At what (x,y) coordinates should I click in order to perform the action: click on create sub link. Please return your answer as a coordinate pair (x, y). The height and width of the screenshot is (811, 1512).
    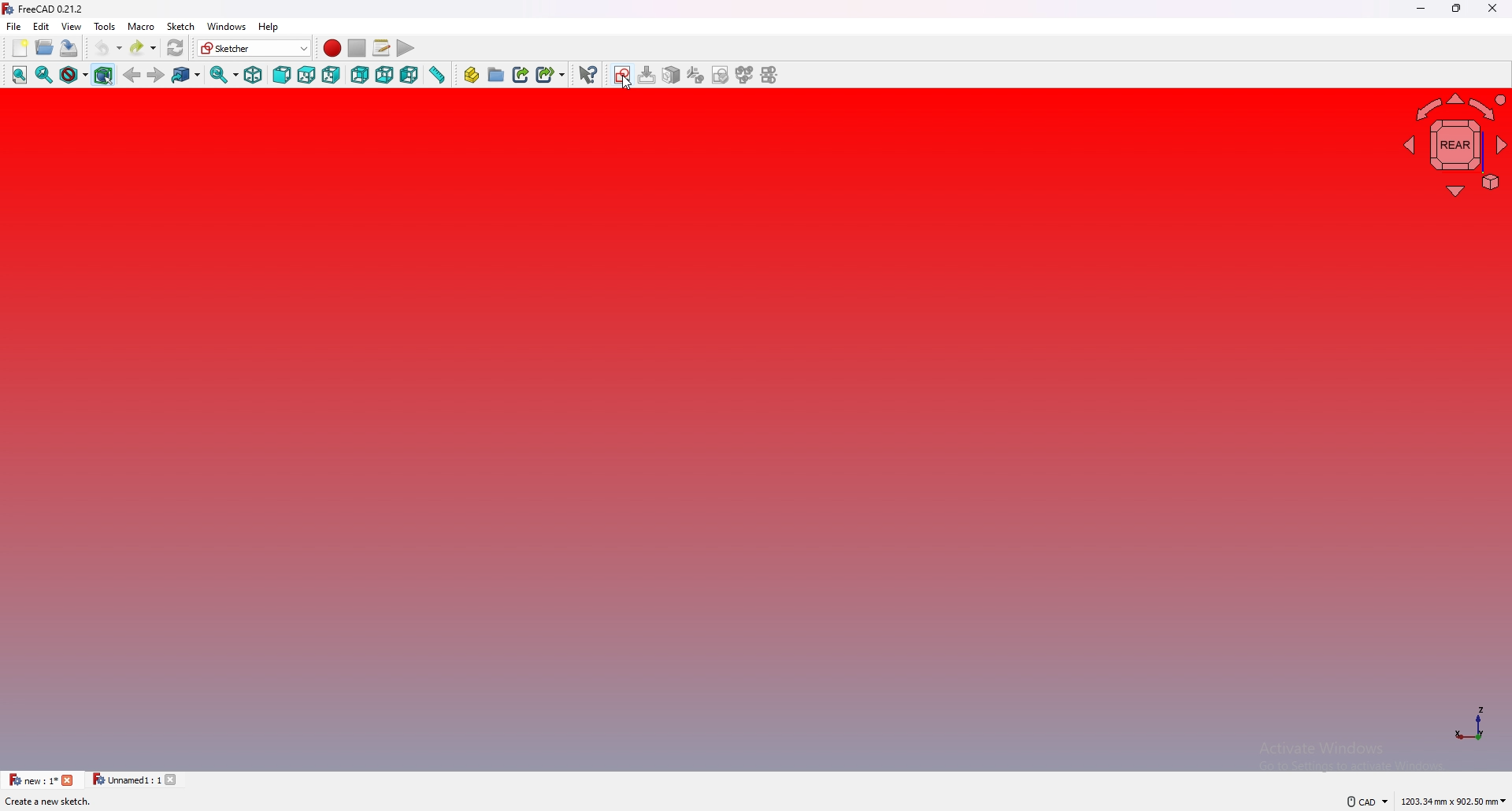
    Looking at the image, I should click on (551, 75).